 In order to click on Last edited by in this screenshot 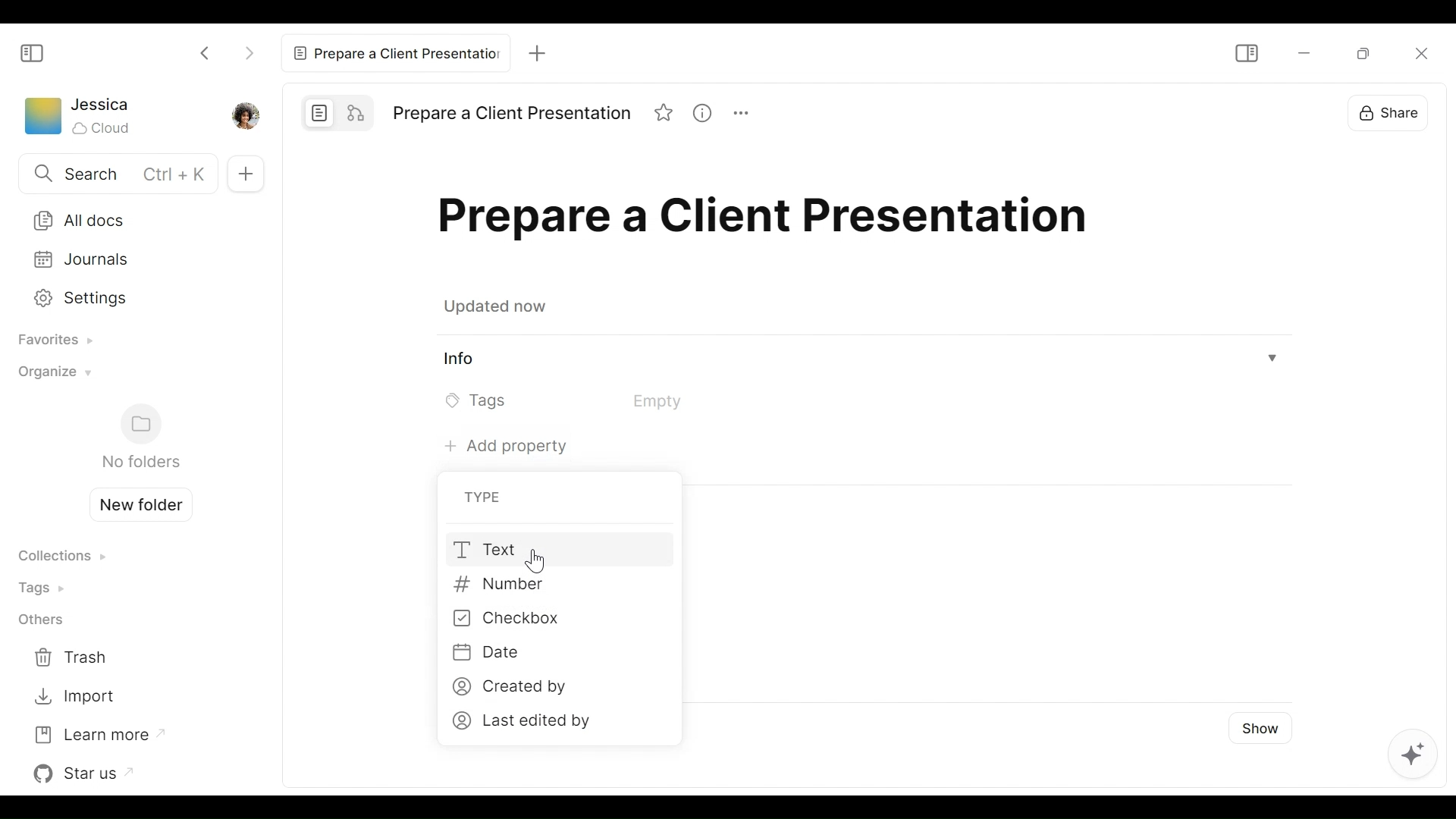, I will do `click(554, 722)`.